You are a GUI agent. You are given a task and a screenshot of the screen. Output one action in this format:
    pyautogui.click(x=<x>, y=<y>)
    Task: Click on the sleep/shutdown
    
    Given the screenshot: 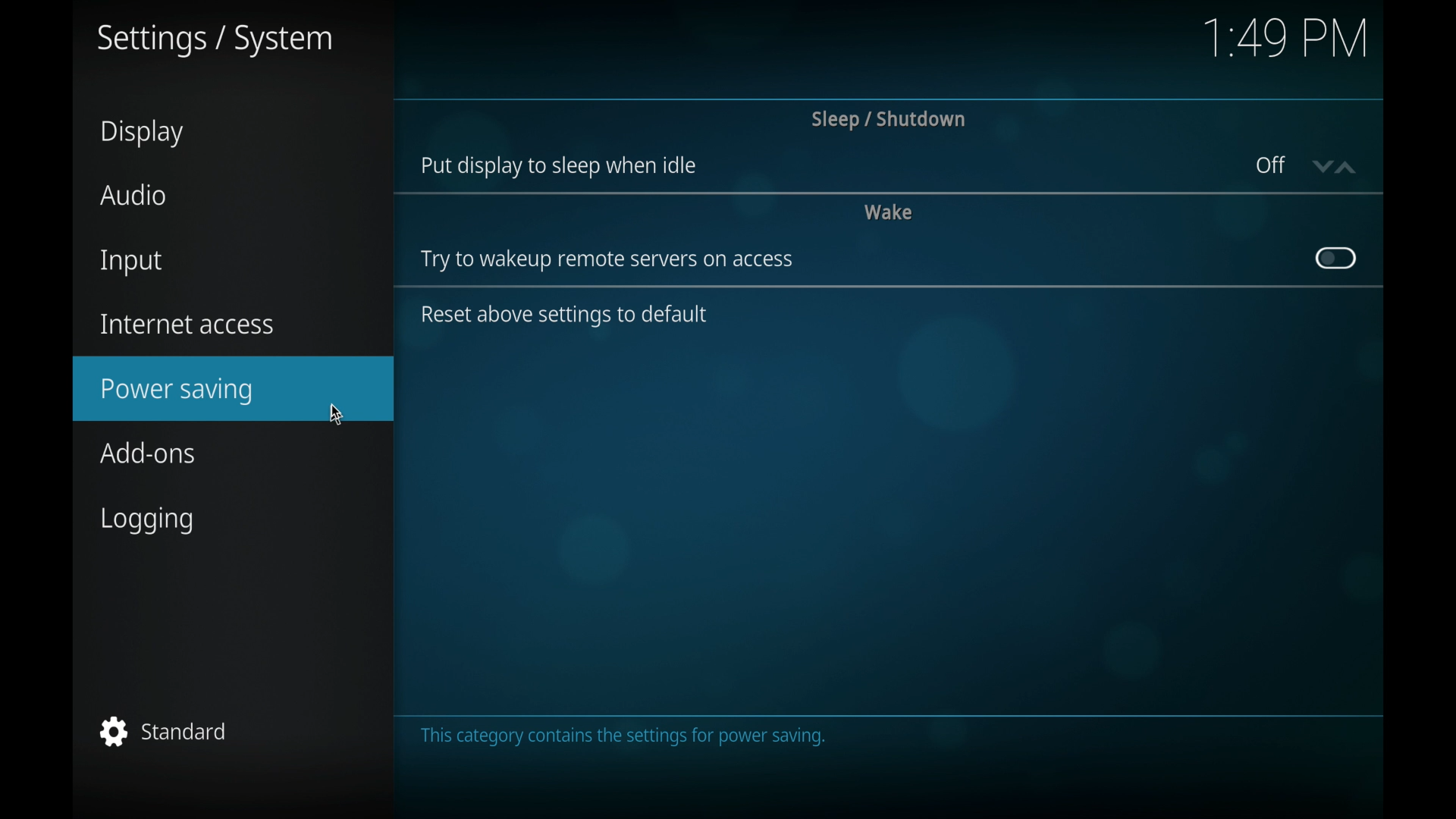 What is the action you would take?
    pyautogui.click(x=888, y=119)
    